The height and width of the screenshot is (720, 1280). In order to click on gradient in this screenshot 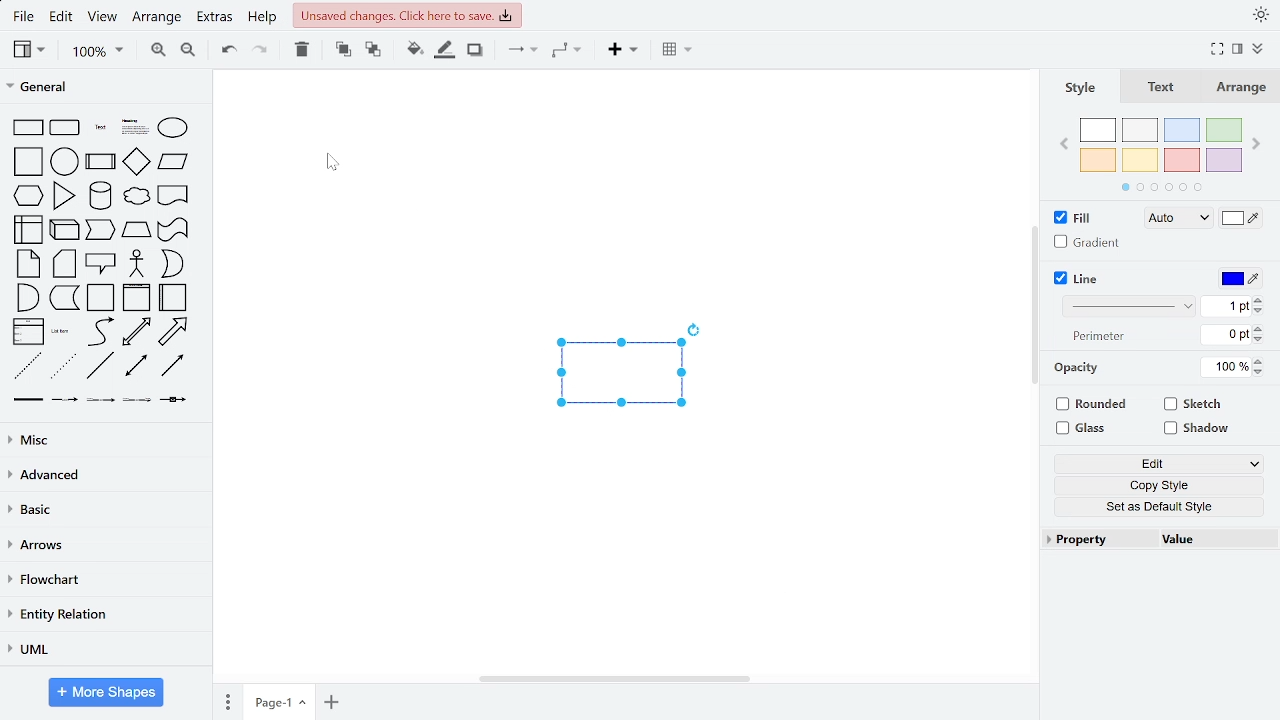, I will do `click(1083, 243)`.